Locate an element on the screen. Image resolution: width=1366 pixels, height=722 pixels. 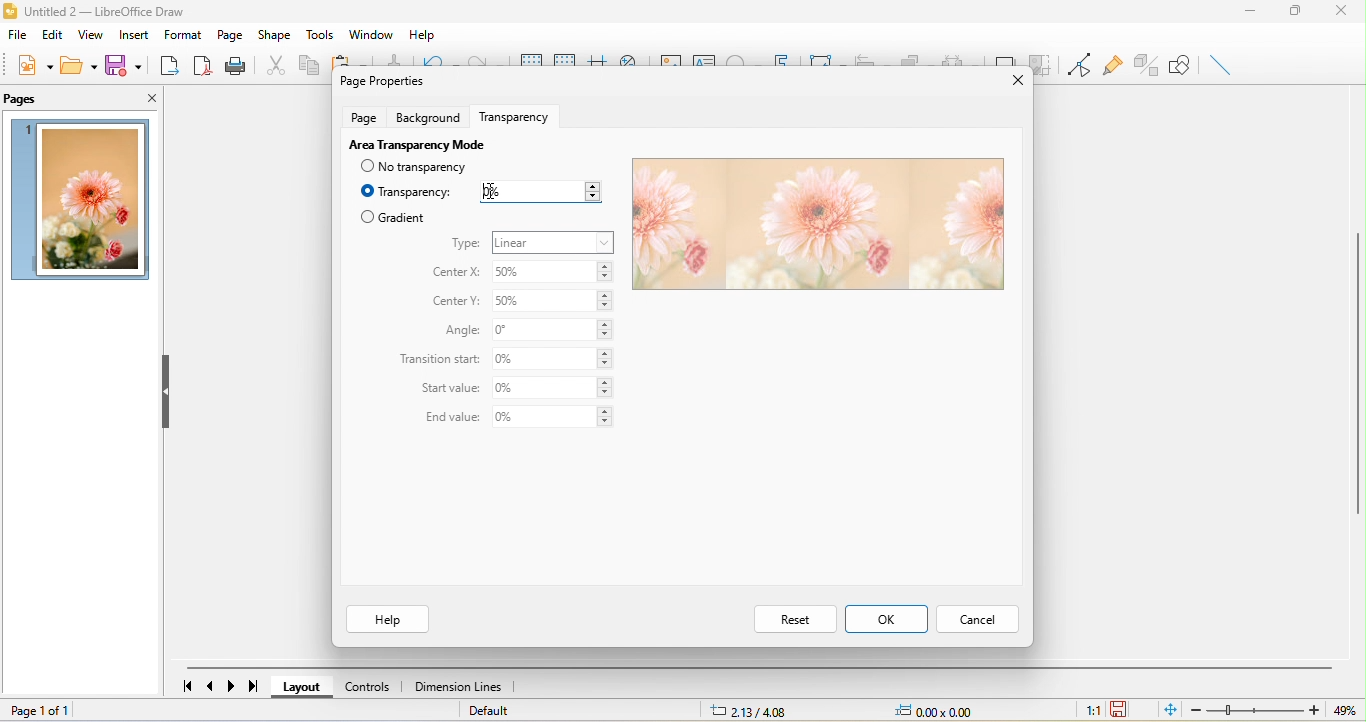
toggle extrusion is located at coordinates (1144, 65).